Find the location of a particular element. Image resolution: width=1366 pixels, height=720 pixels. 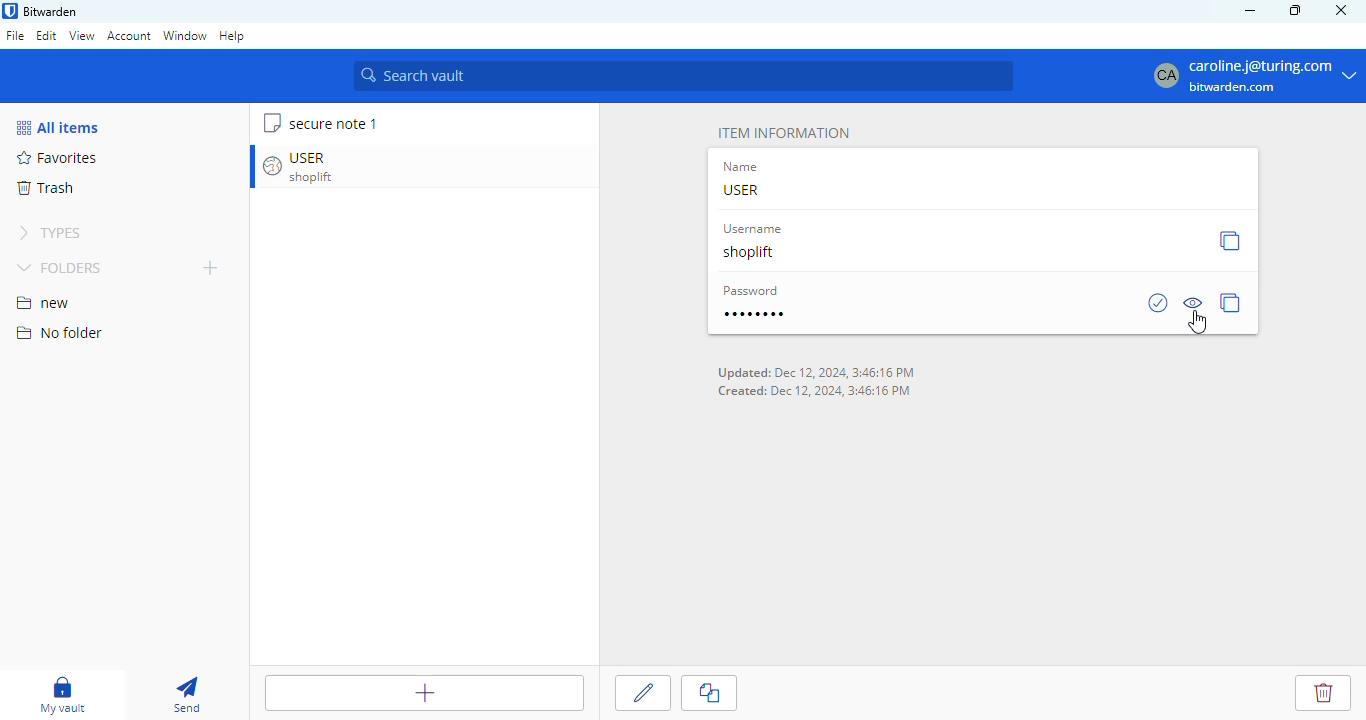

bitwarden is located at coordinates (51, 11).